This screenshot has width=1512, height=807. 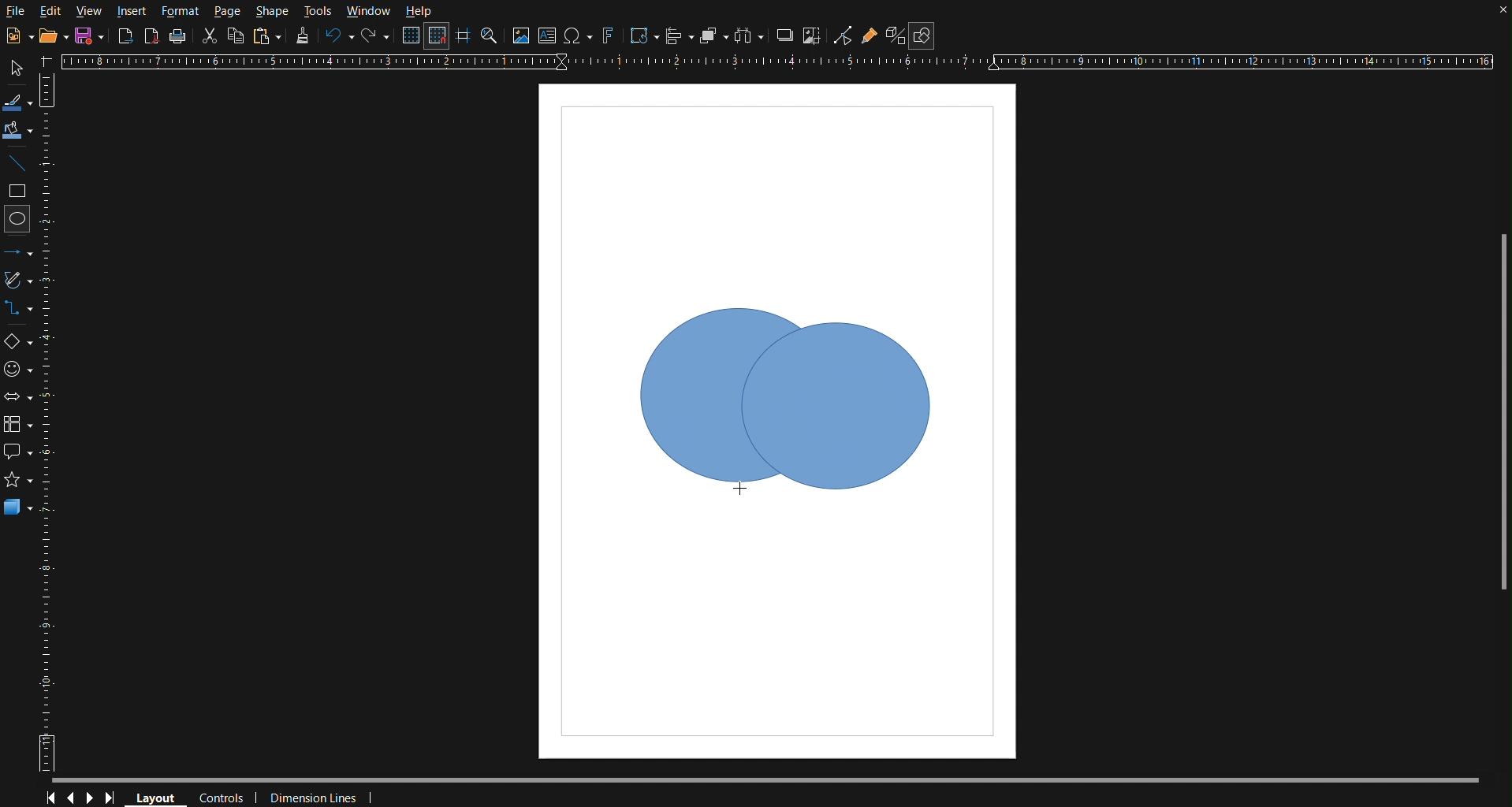 I want to click on Distribute objects, so click(x=754, y=37).